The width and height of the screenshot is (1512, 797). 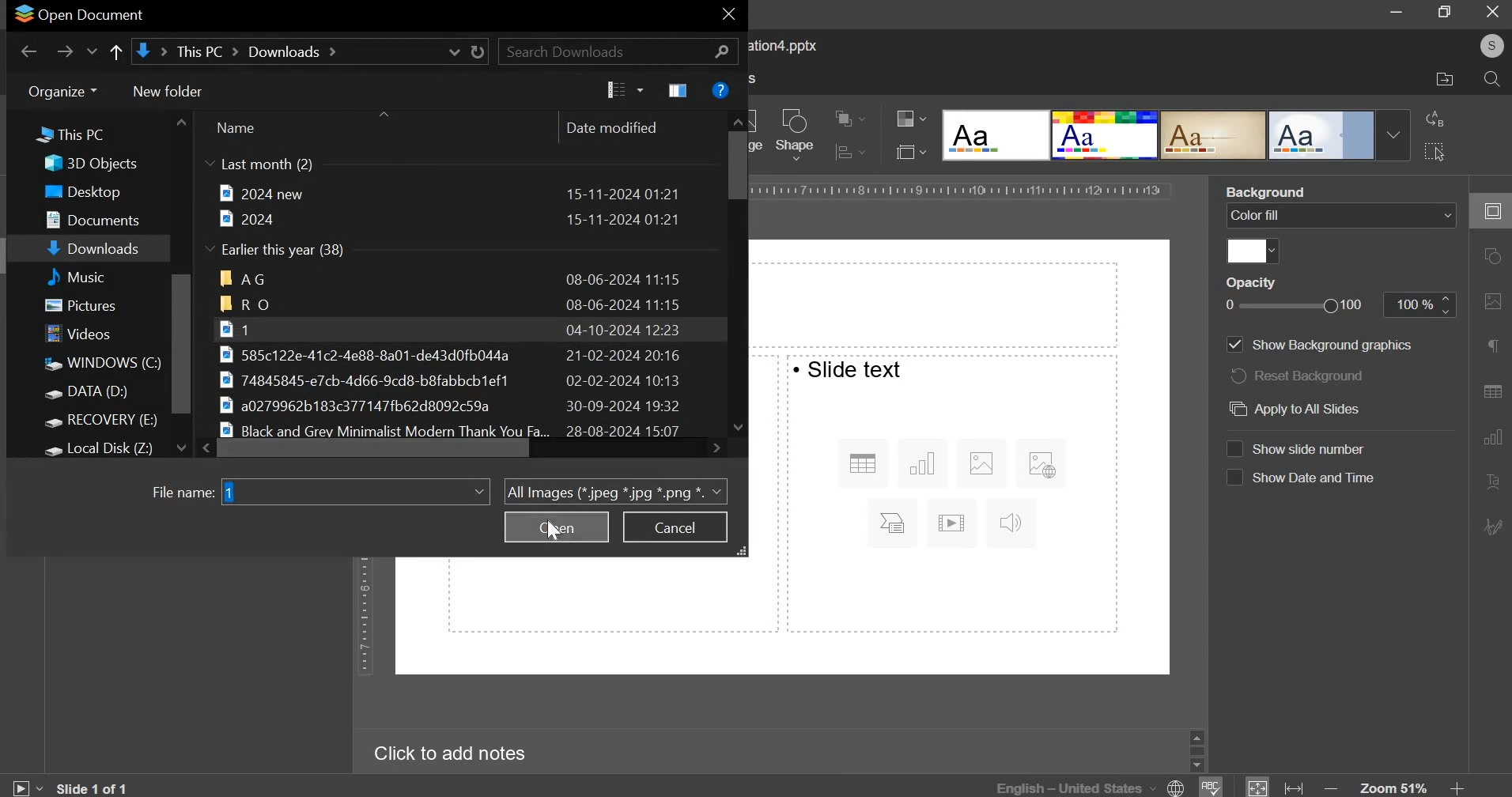 What do you see at coordinates (1258, 281) in the screenshot?
I see `opacity` at bounding box center [1258, 281].